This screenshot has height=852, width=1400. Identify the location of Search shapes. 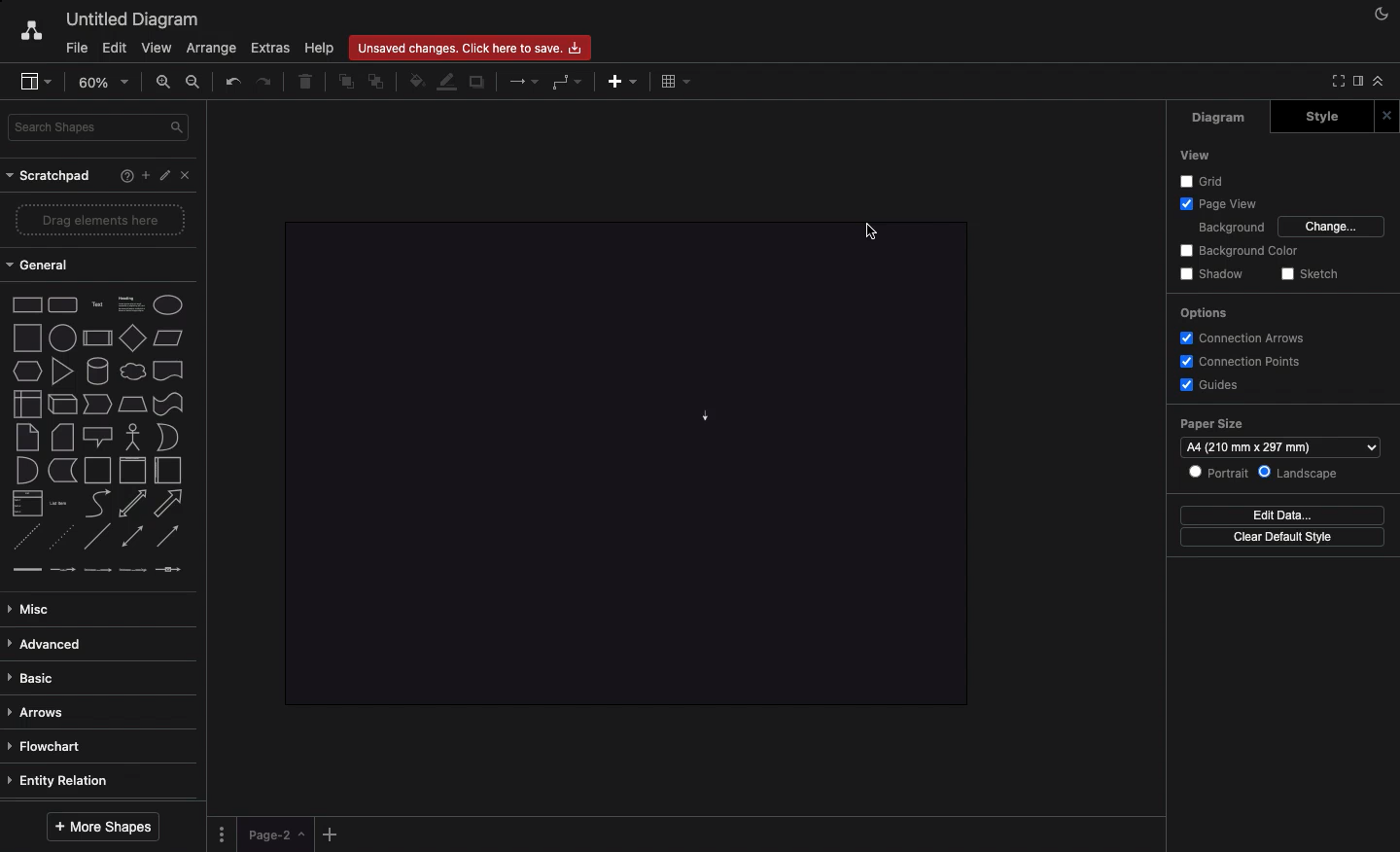
(98, 128).